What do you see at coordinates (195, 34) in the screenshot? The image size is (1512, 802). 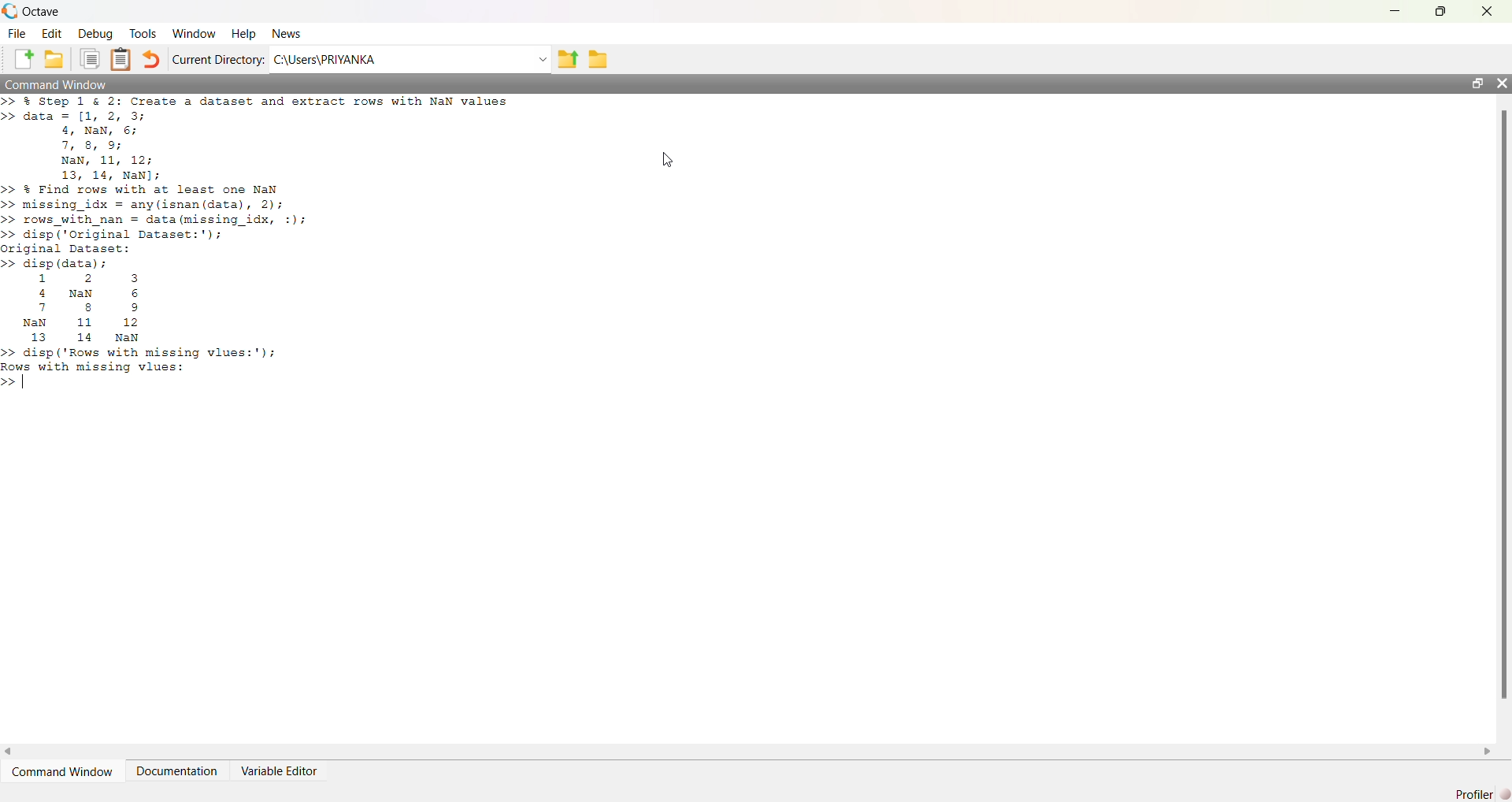 I see `Window` at bounding box center [195, 34].